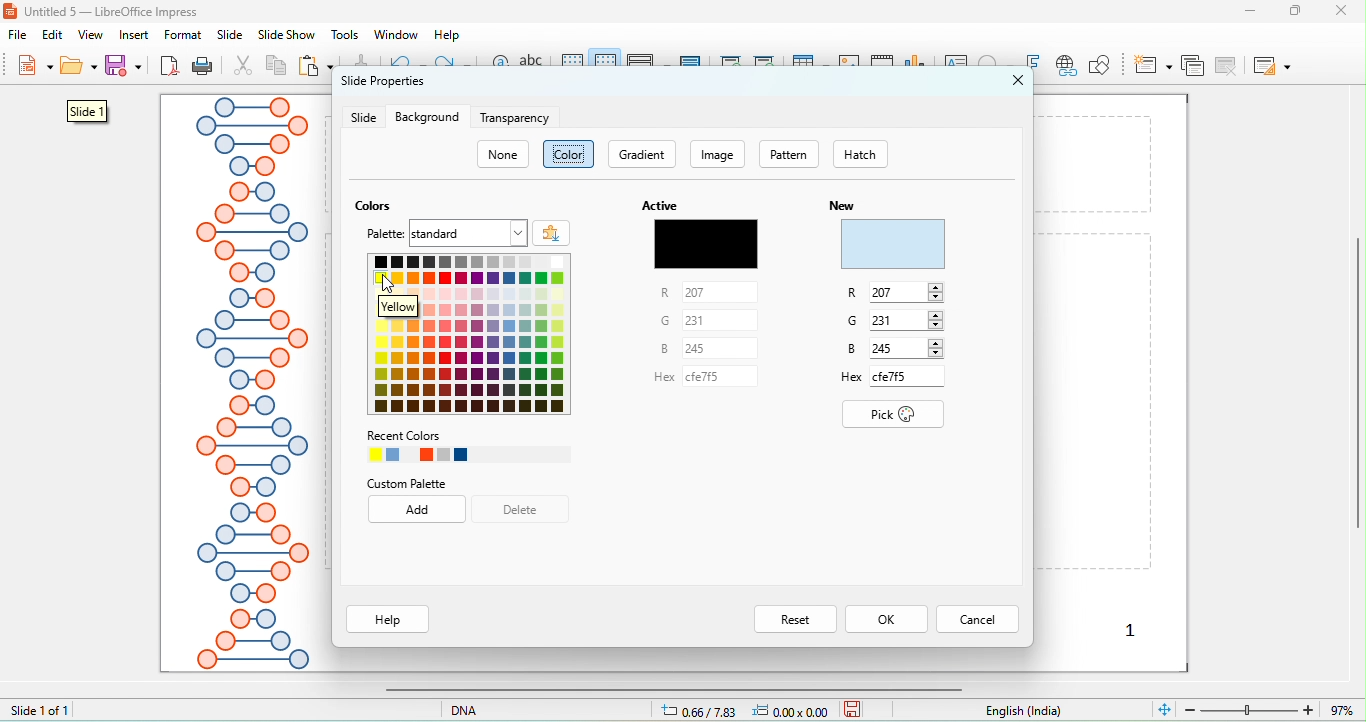 The width and height of the screenshot is (1366, 722). What do you see at coordinates (87, 111) in the screenshot?
I see `slide 1` at bounding box center [87, 111].